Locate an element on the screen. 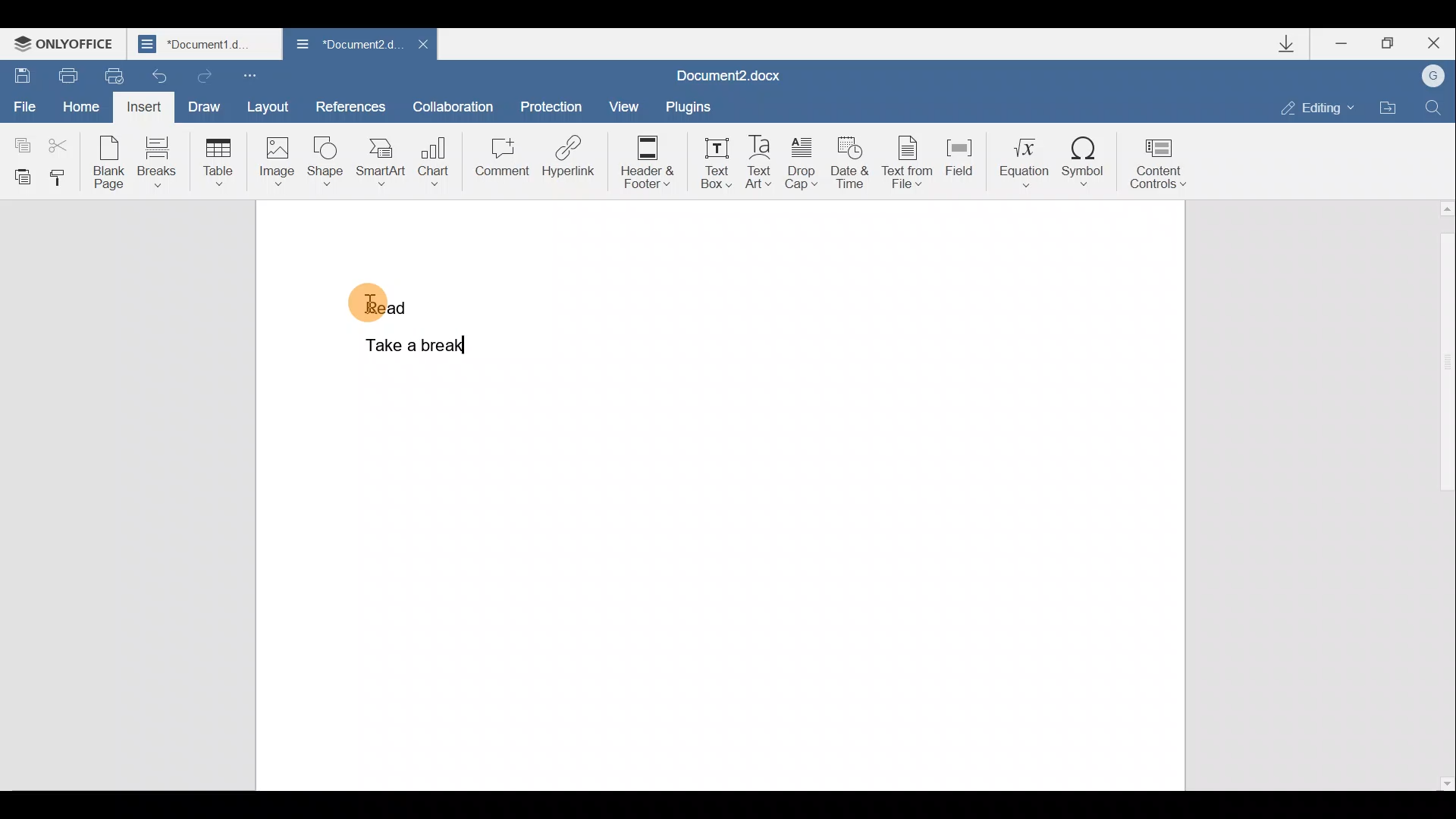 Image resolution: width=1456 pixels, height=819 pixels. Customize quick access toolbar is located at coordinates (249, 76).